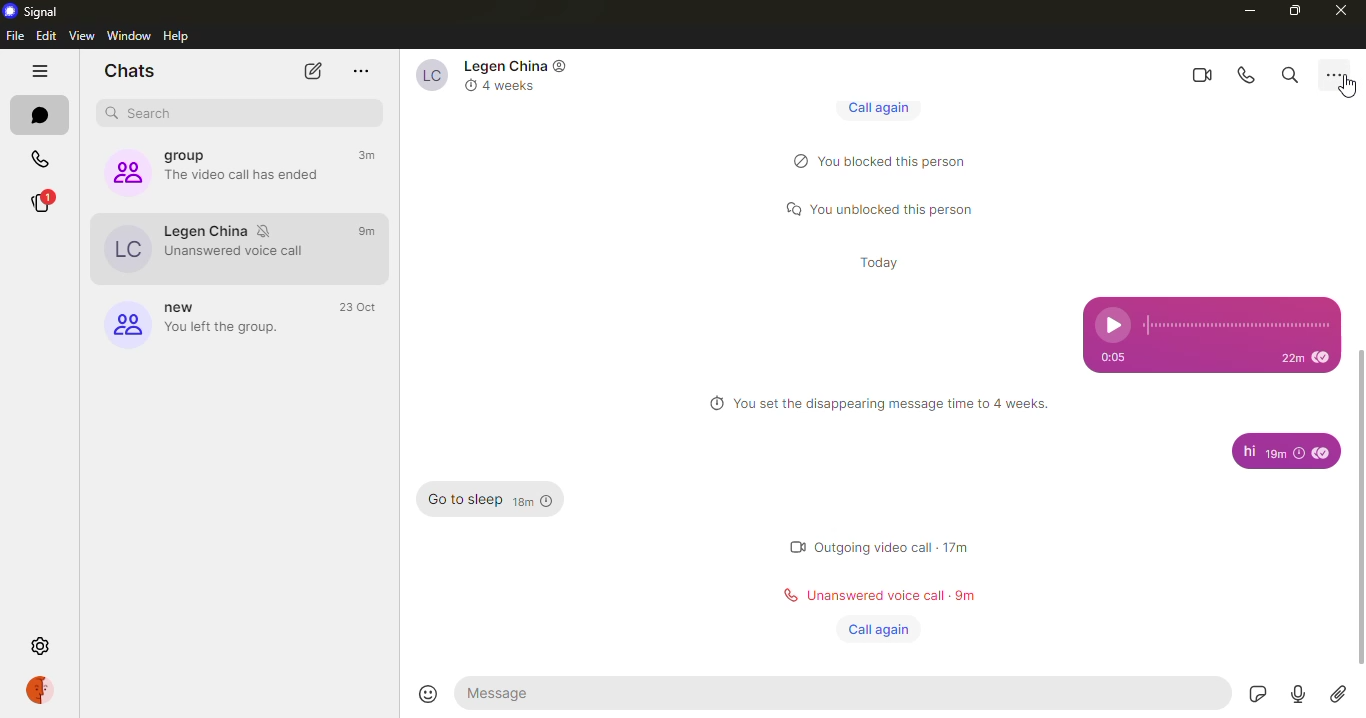  I want to click on search, so click(1288, 74).